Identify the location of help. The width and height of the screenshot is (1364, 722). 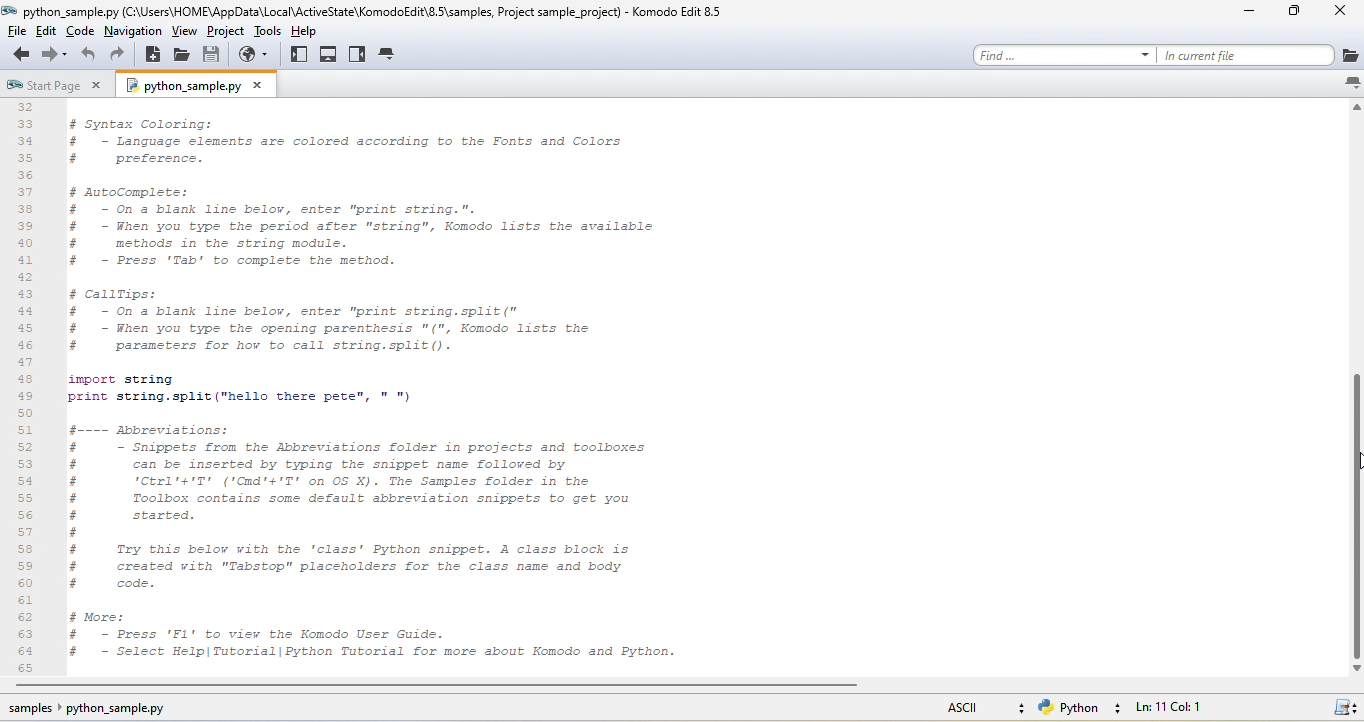
(311, 31).